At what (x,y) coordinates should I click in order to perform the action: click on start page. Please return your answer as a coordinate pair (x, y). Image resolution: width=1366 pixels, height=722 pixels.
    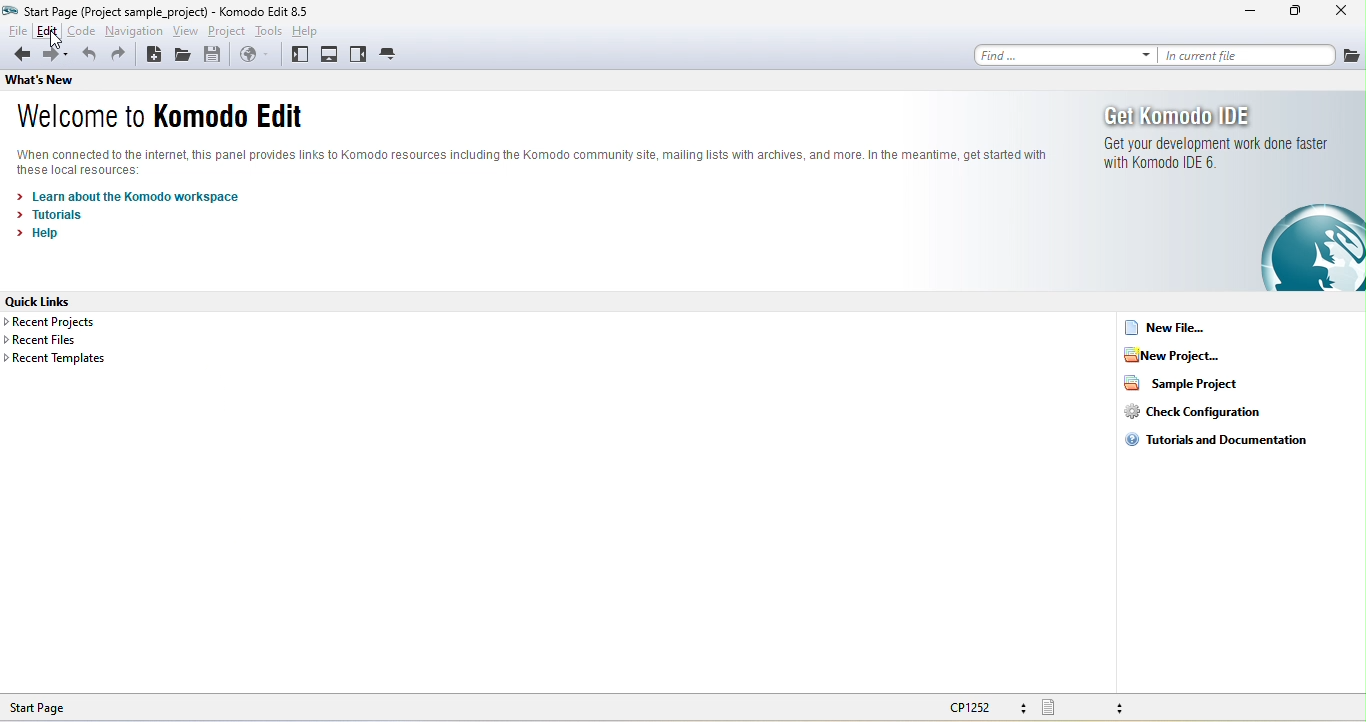
    Looking at the image, I should click on (36, 708).